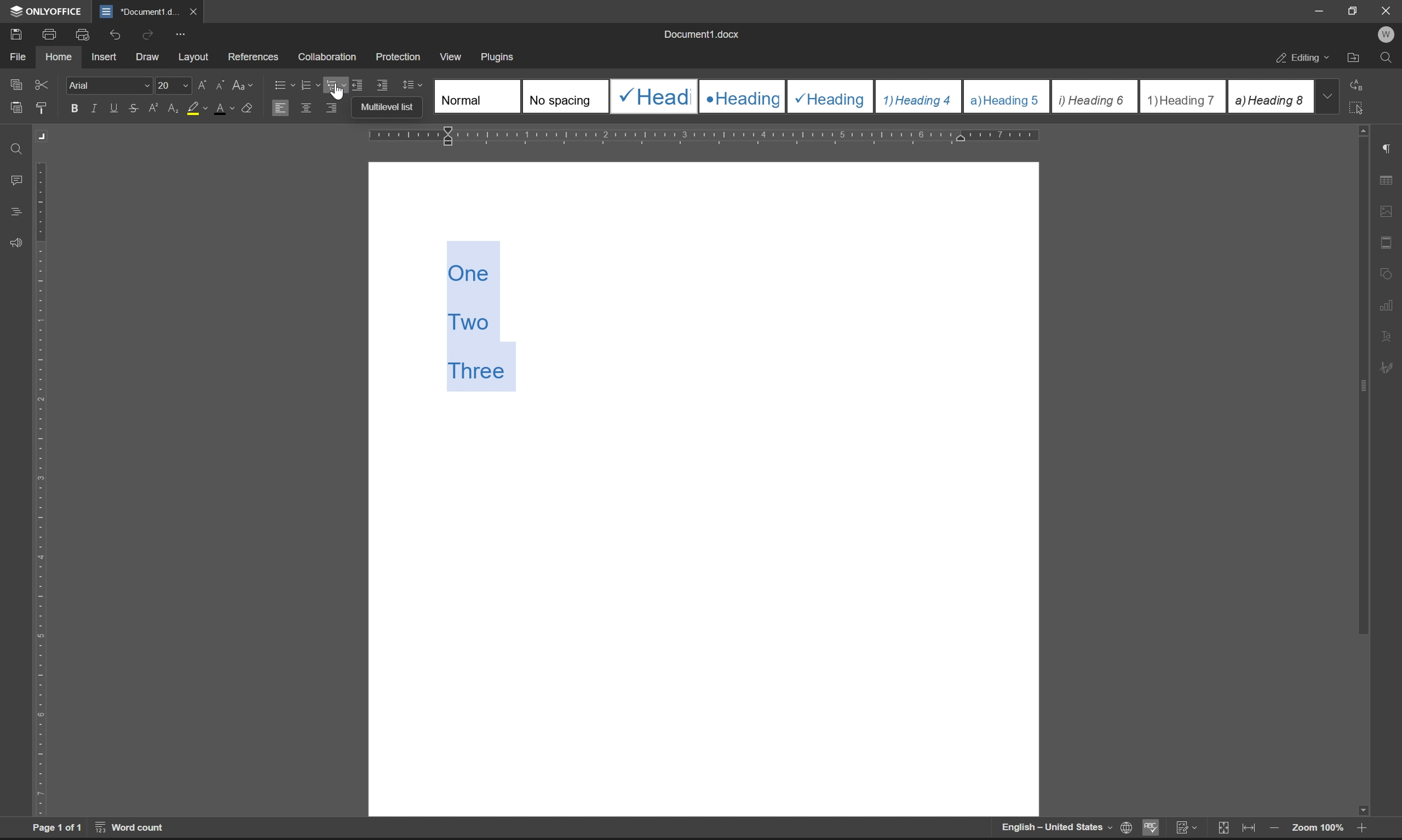  I want to click on set document language, so click(1124, 828).